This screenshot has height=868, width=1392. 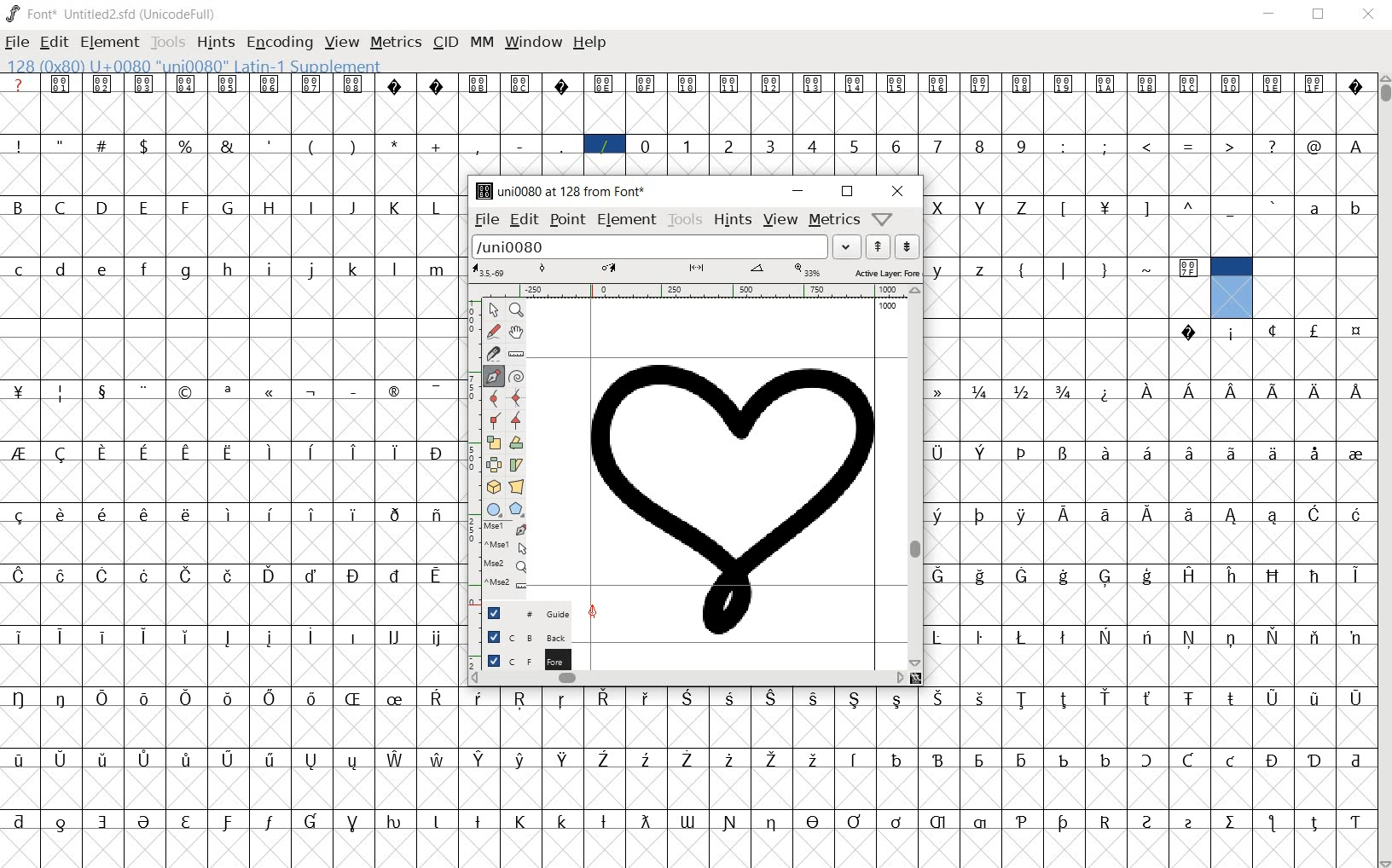 I want to click on tools, so click(x=684, y=219).